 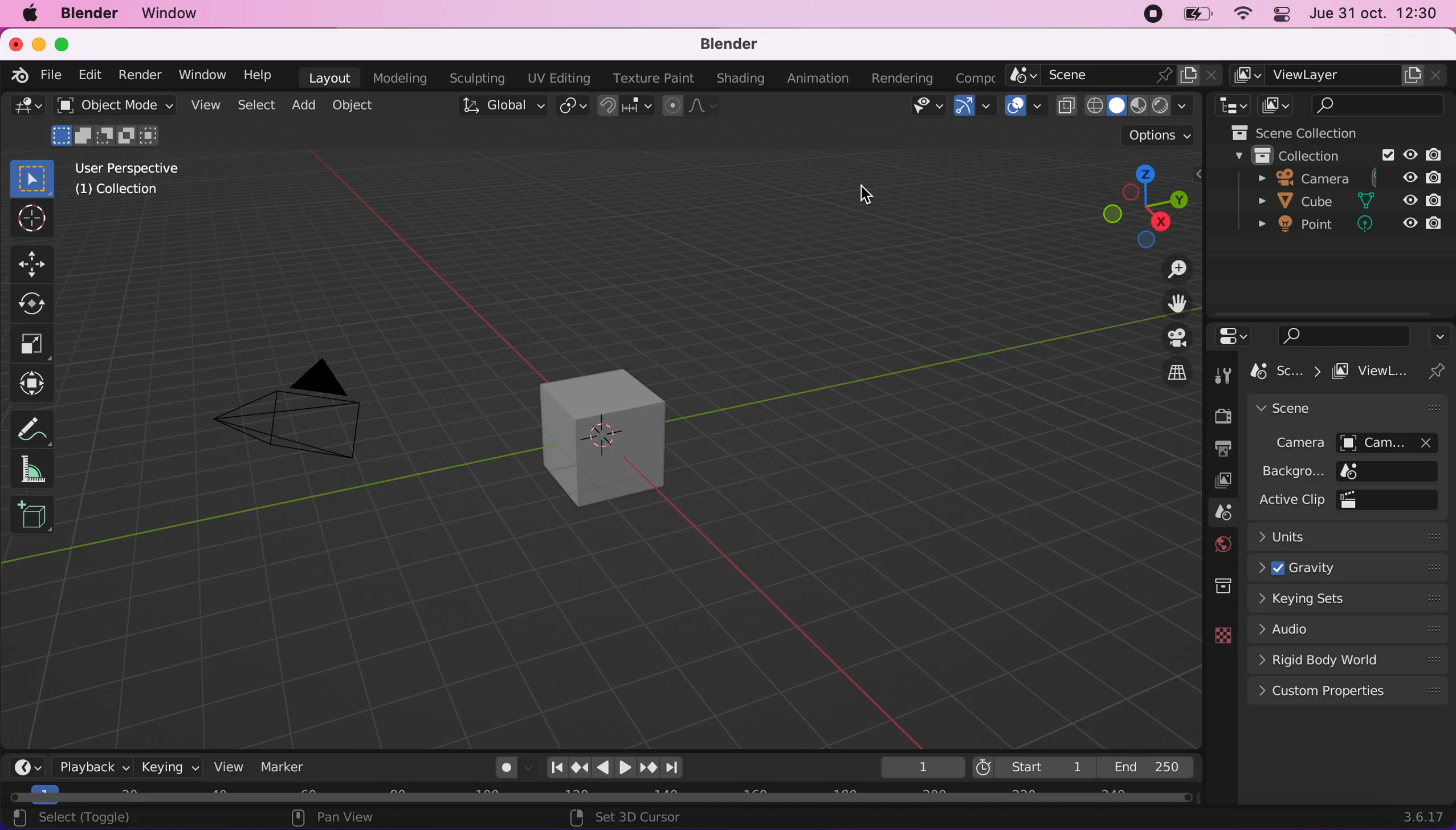 I want to click on measure, so click(x=35, y=471).